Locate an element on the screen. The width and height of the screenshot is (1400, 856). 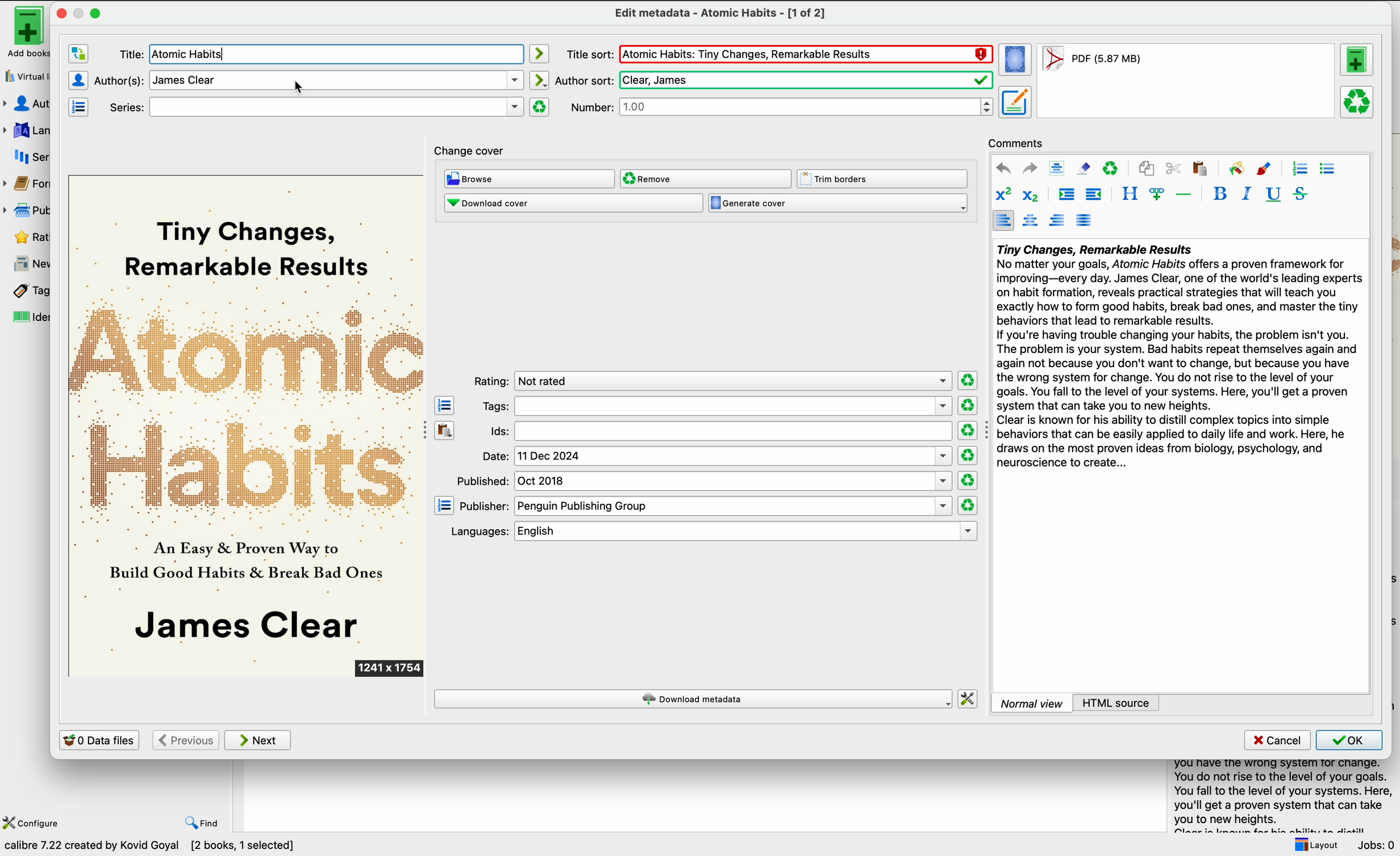
rating is located at coordinates (711, 380).